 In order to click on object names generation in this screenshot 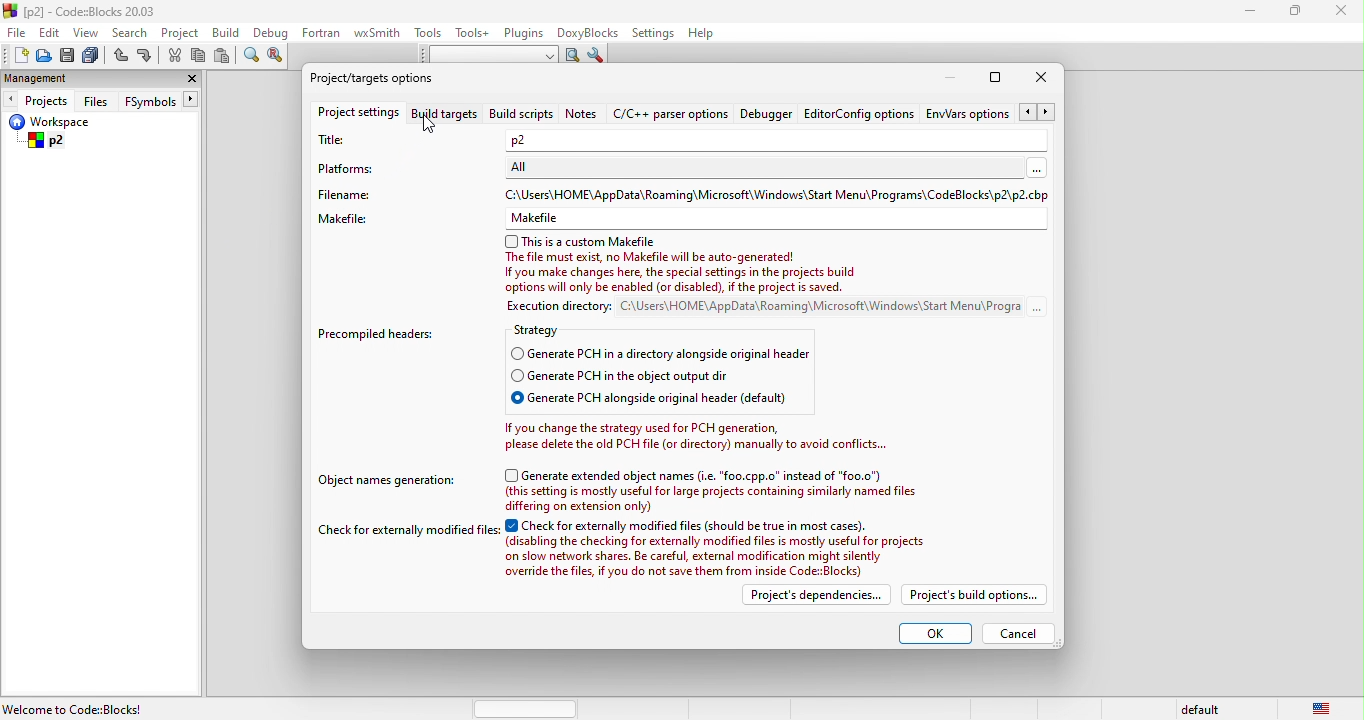, I will do `click(389, 481)`.